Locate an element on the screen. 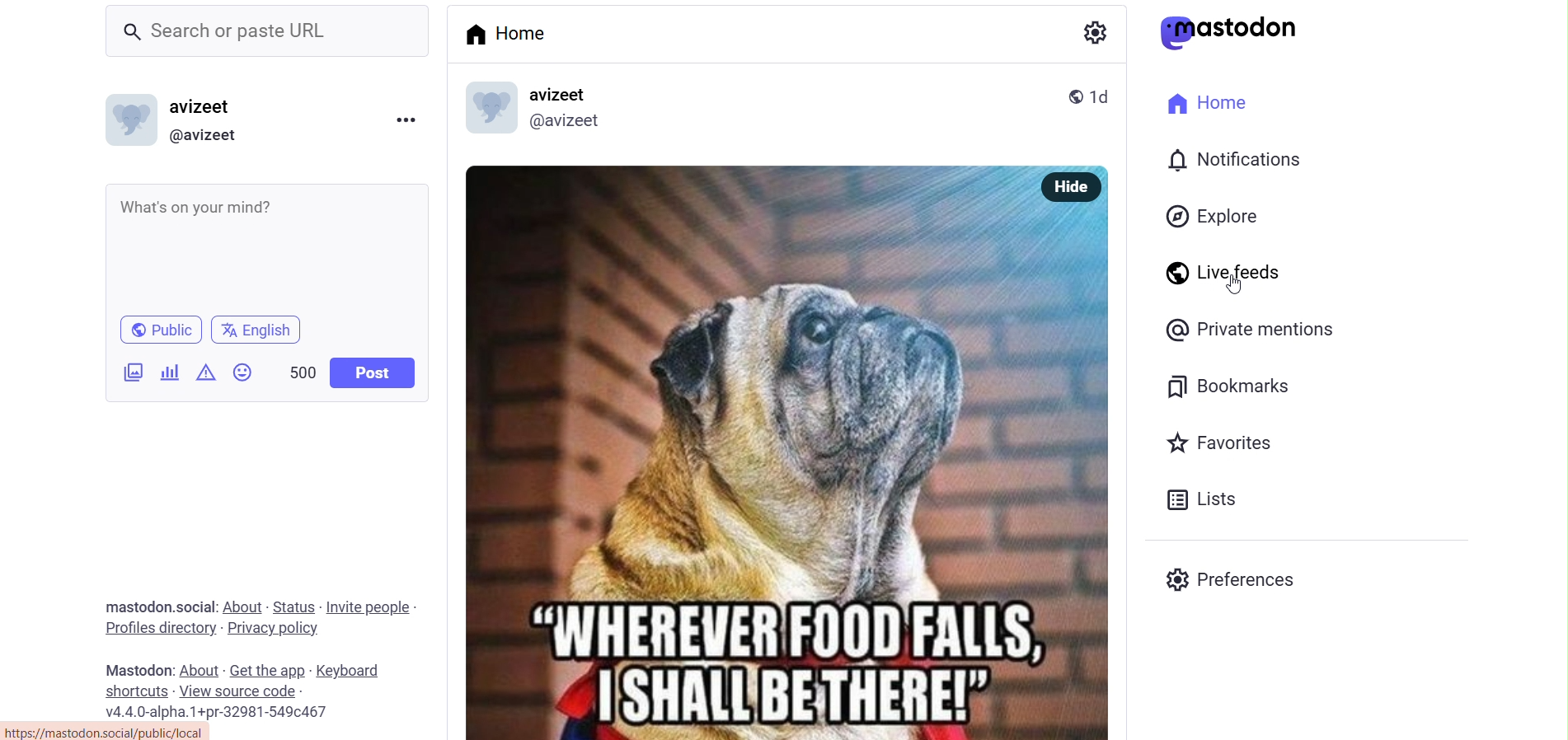 The width and height of the screenshot is (1568, 740). mastodon is located at coordinates (1242, 32).